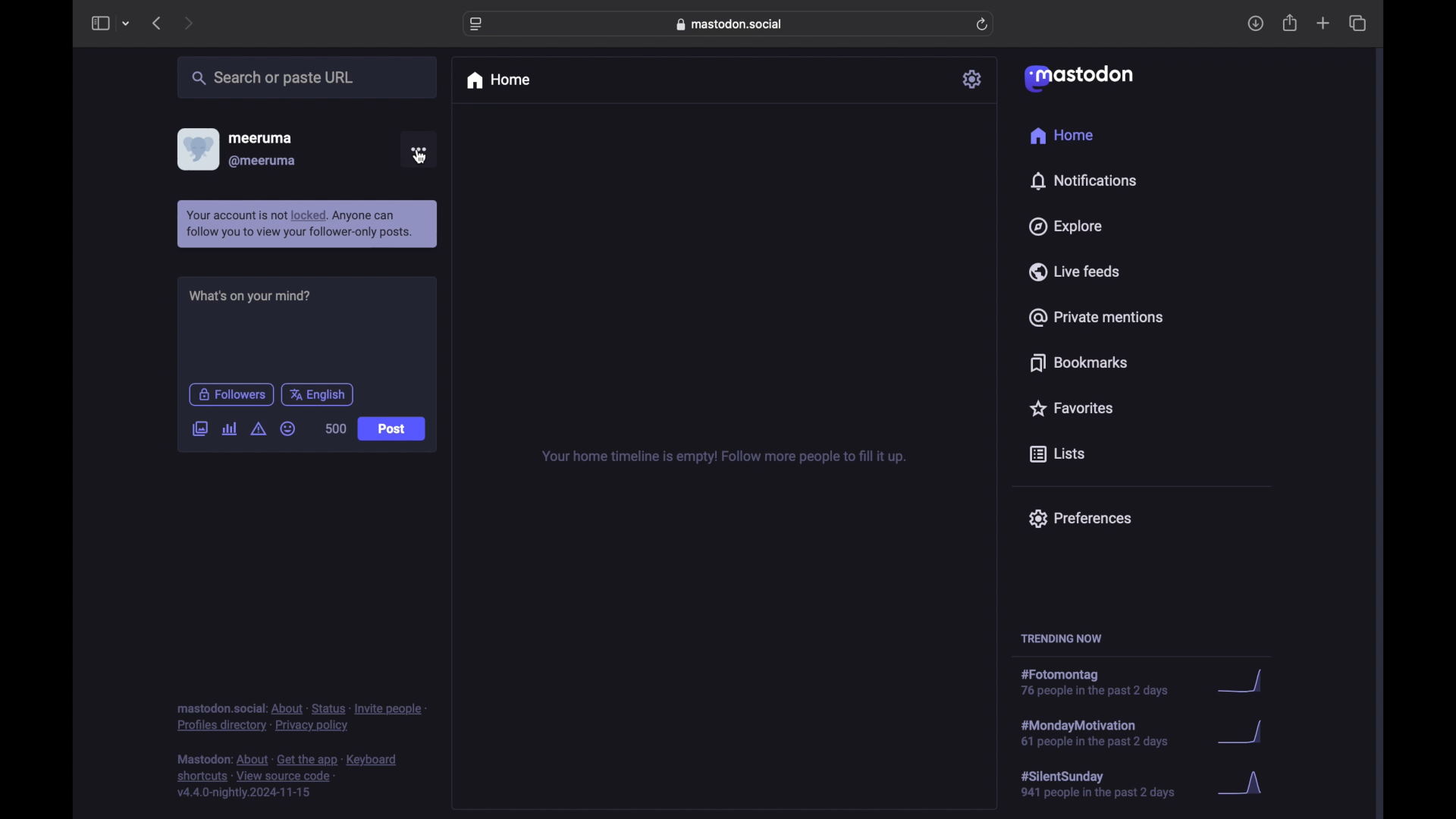  Describe the element at coordinates (309, 224) in the screenshot. I see `notification` at that location.